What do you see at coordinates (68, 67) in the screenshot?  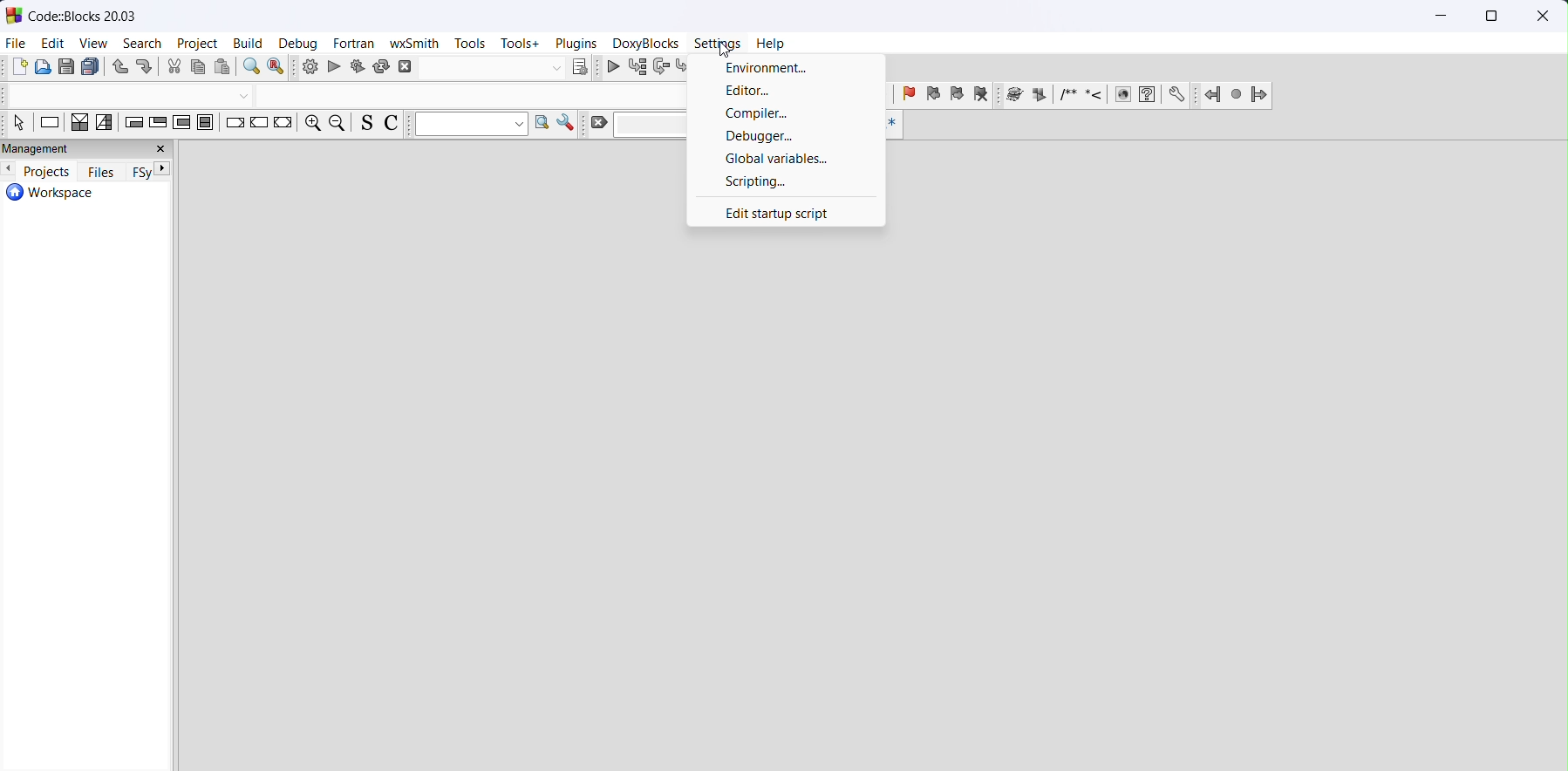 I see `save` at bounding box center [68, 67].